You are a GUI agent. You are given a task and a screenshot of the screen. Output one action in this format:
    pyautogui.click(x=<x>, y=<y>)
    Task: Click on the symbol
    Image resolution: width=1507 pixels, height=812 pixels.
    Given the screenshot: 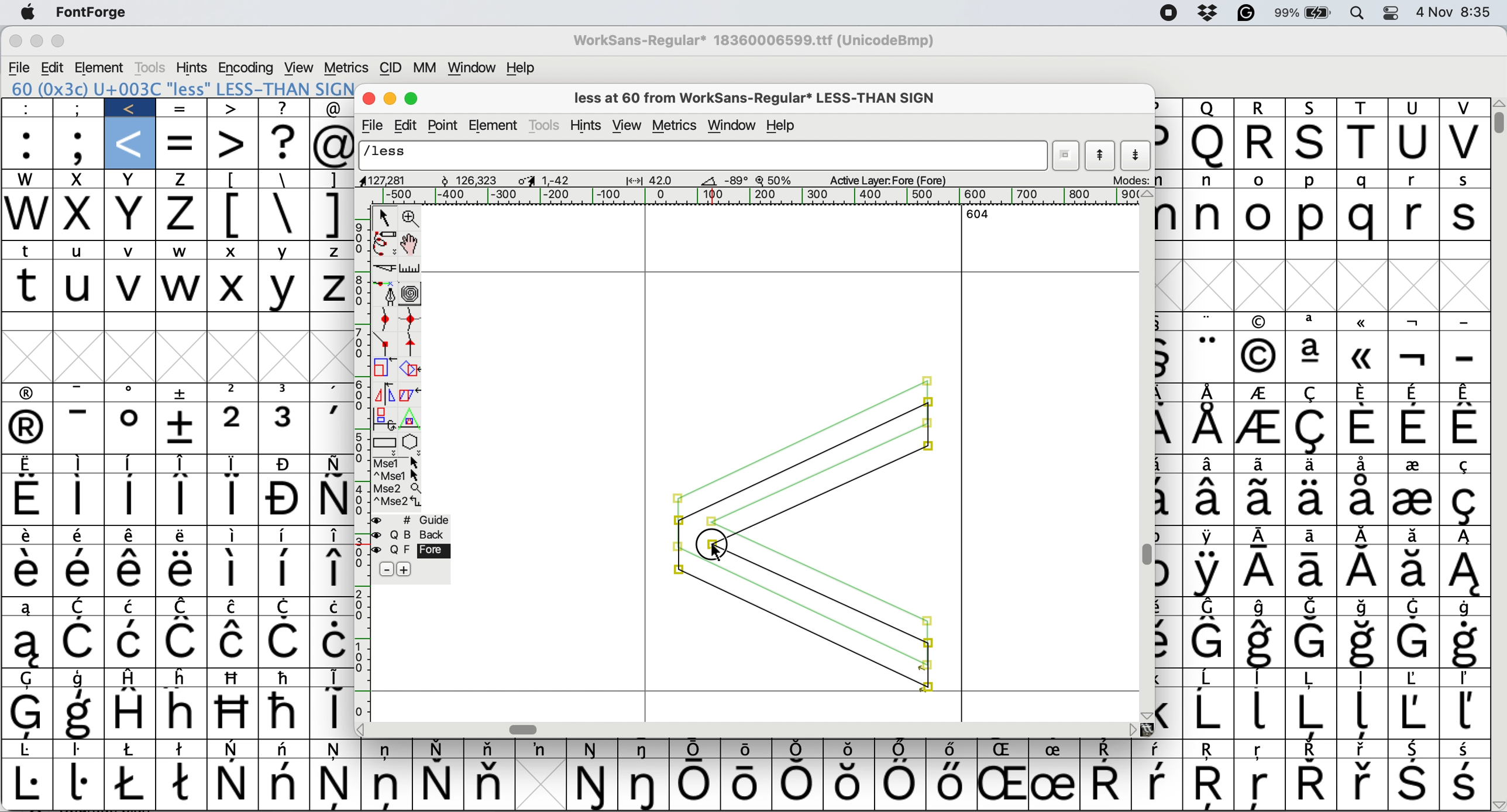 What is the action you would take?
    pyautogui.click(x=332, y=677)
    